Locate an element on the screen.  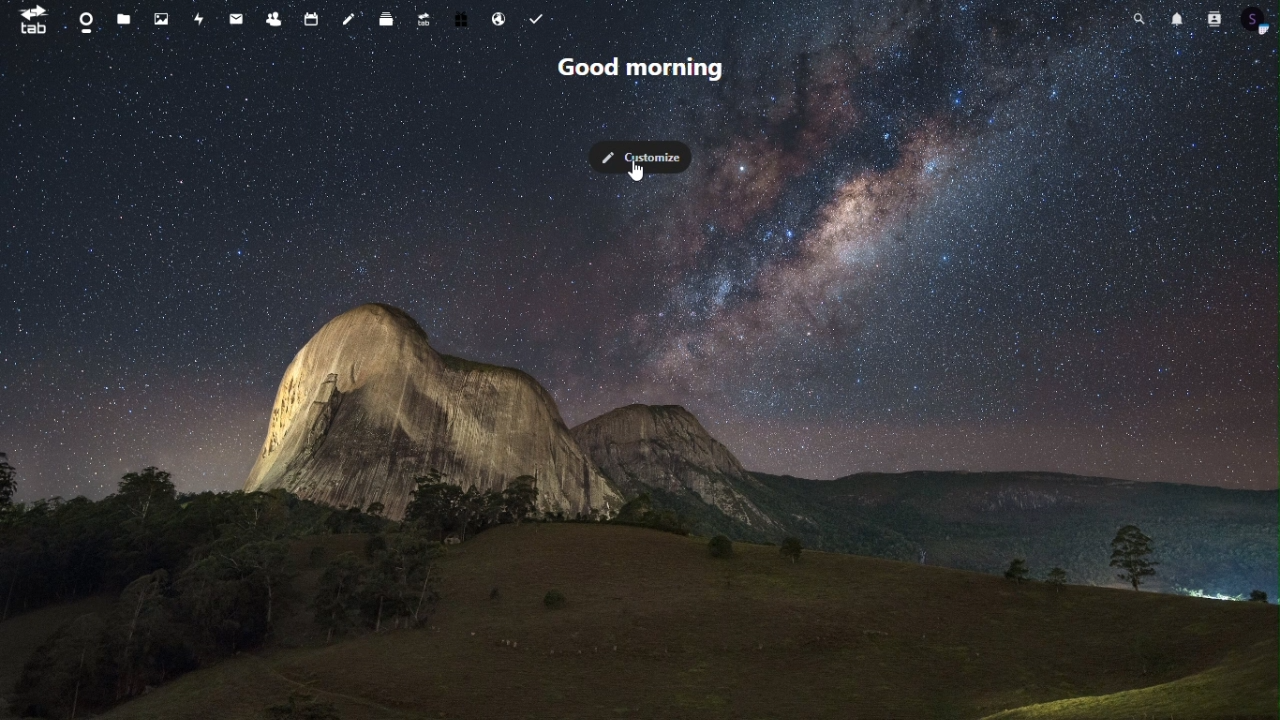
good morning is located at coordinates (644, 68).